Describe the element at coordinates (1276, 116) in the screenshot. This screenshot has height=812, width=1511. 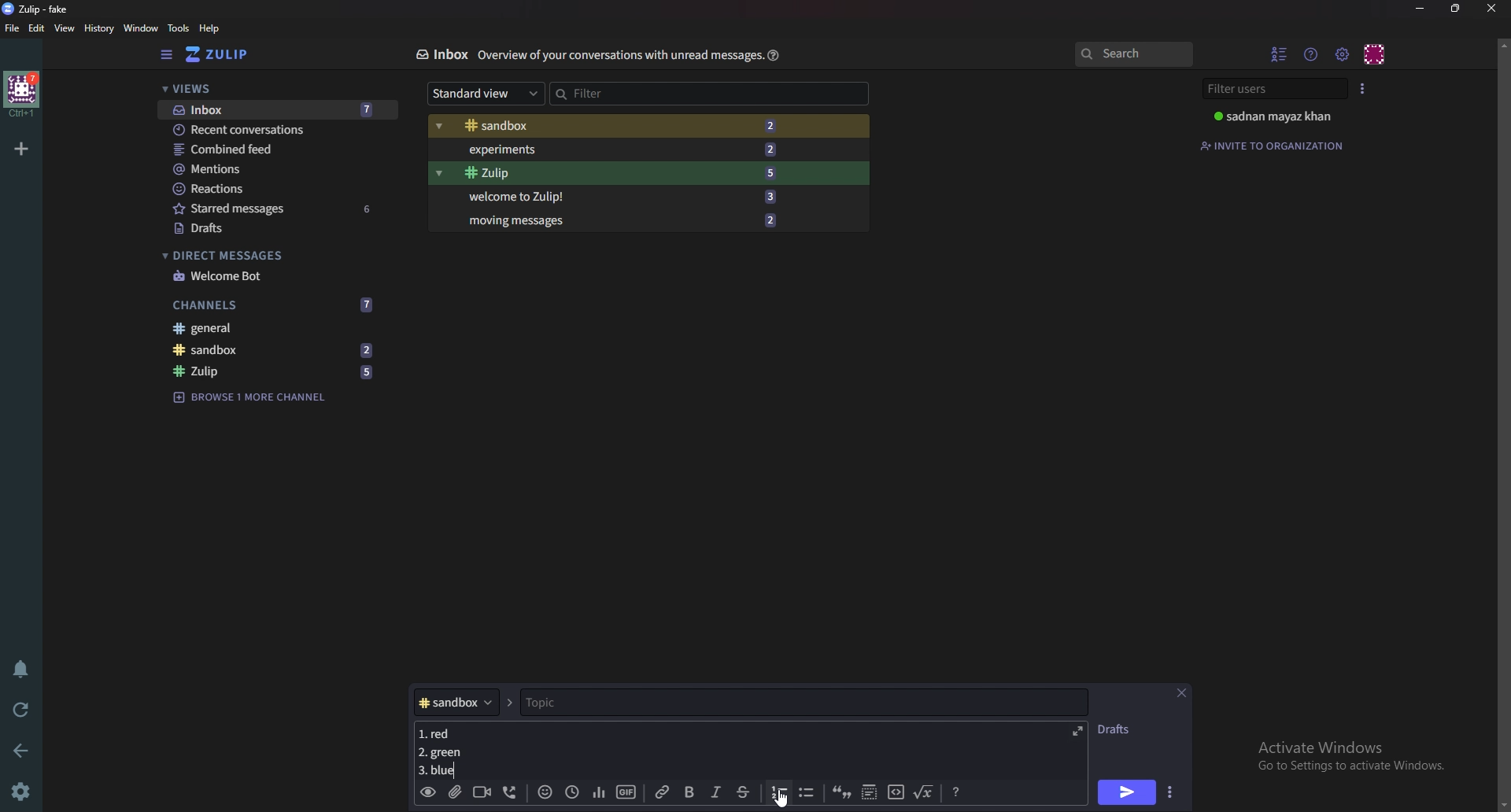
I see `User` at that location.